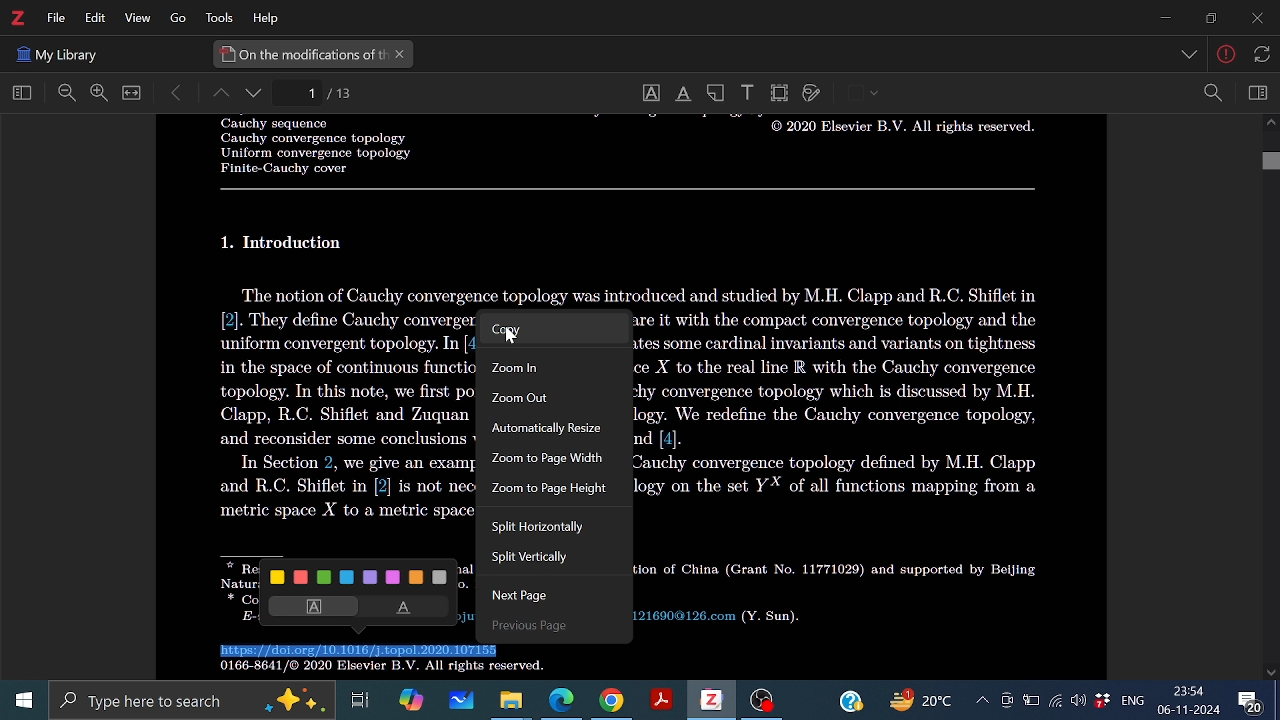 The height and width of the screenshot is (720, 1280). Describe the element at coordinates (875, 94) in the screenshot. I see `` at that location.